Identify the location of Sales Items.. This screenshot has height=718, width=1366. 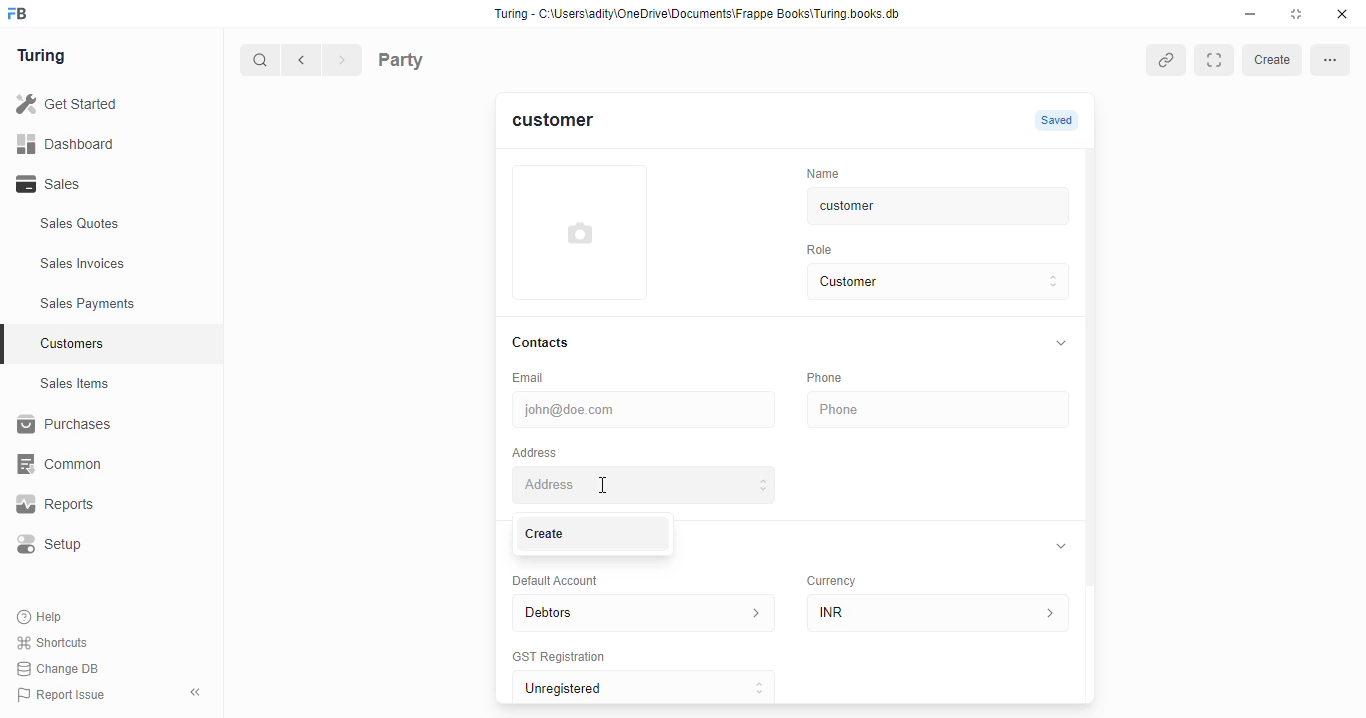
(111, 384).